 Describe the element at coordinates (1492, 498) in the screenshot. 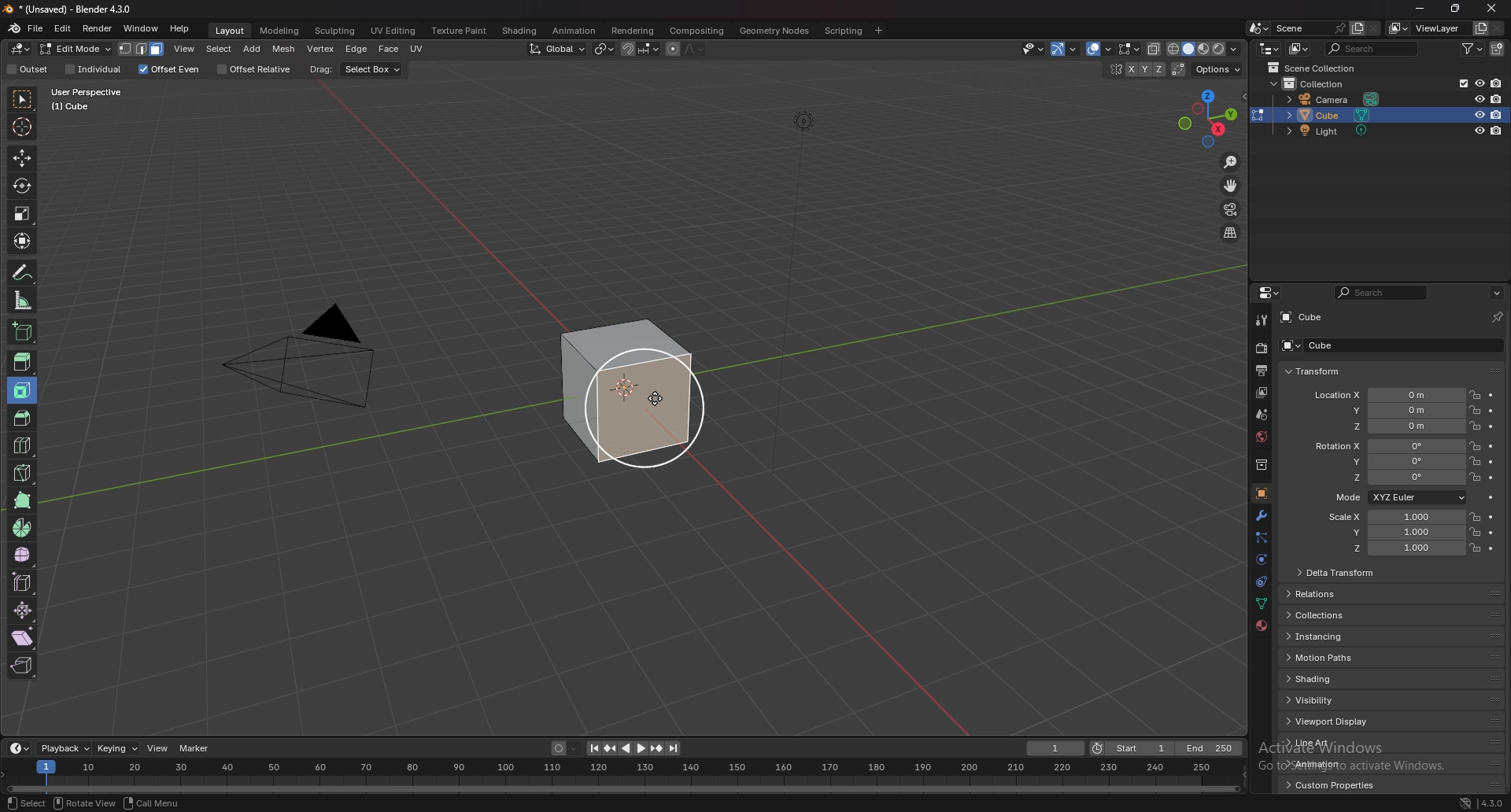

I see `animate property` at that location.